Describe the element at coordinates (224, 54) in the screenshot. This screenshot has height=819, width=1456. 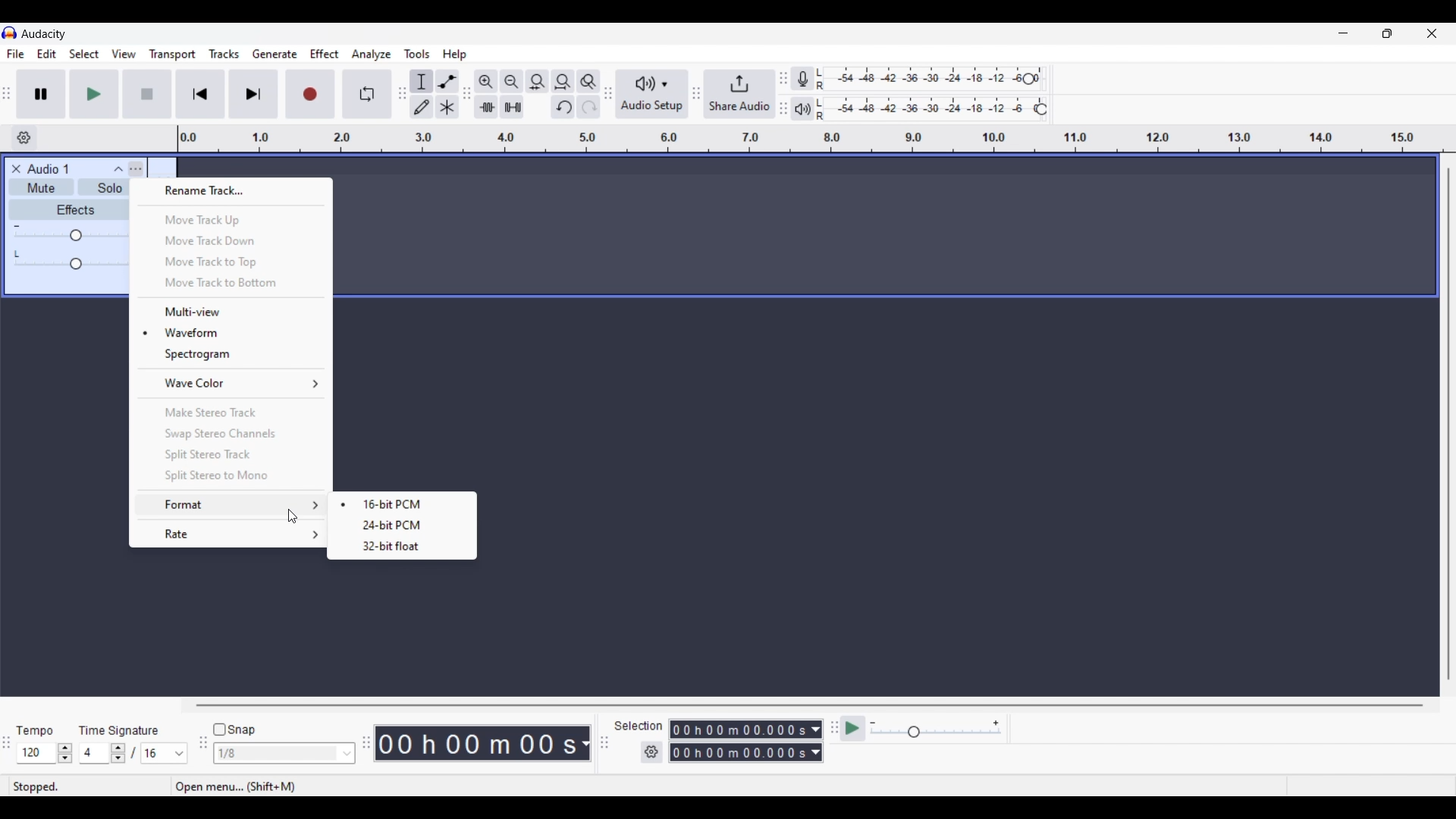
I see `Tracks menu` at that location.